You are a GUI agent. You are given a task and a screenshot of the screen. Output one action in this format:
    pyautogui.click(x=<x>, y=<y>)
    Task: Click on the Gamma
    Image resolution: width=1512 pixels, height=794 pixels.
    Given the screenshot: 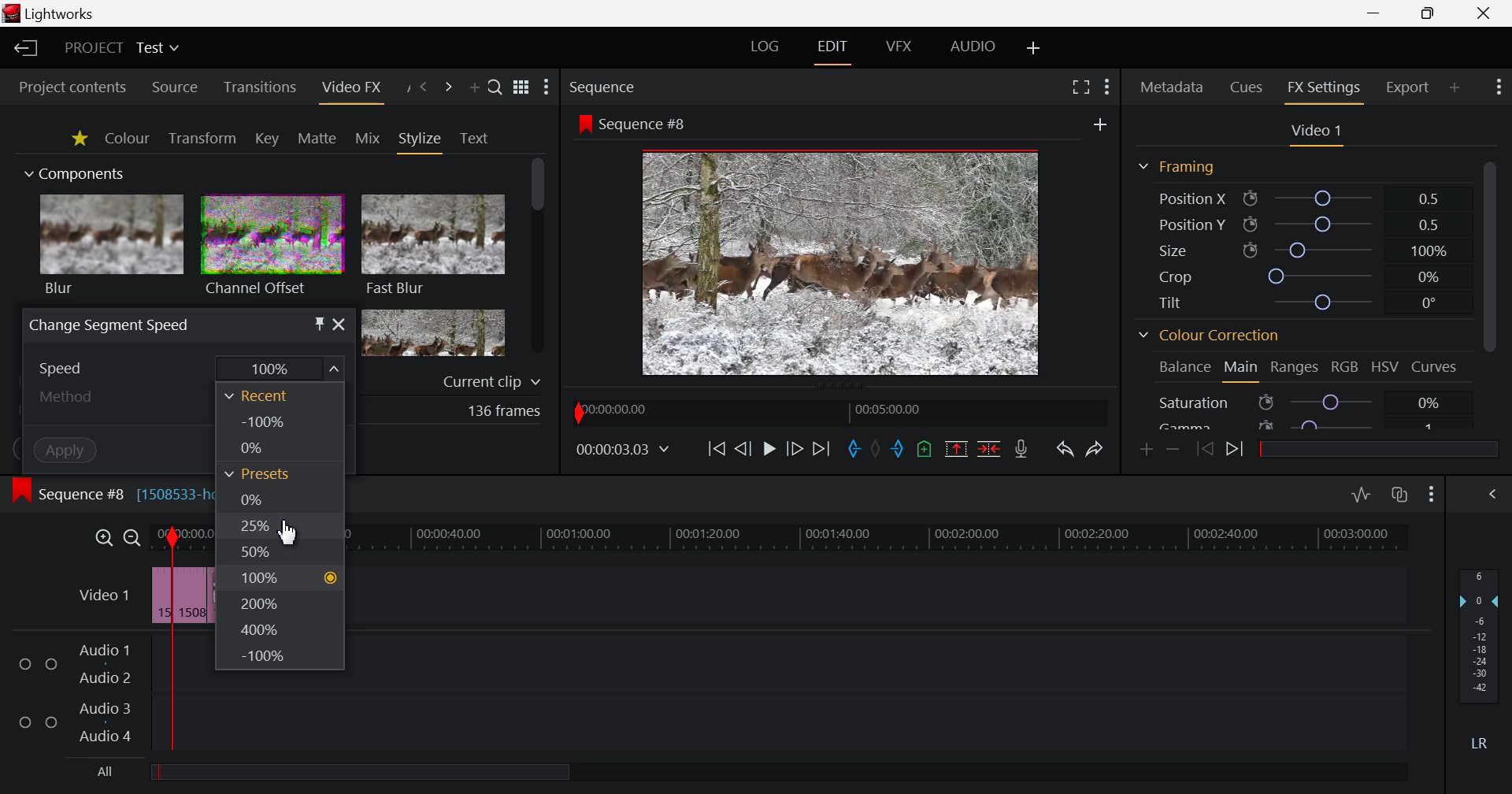 What is the action you would take?
    pyautogui.click(x=1310, y=423)
    